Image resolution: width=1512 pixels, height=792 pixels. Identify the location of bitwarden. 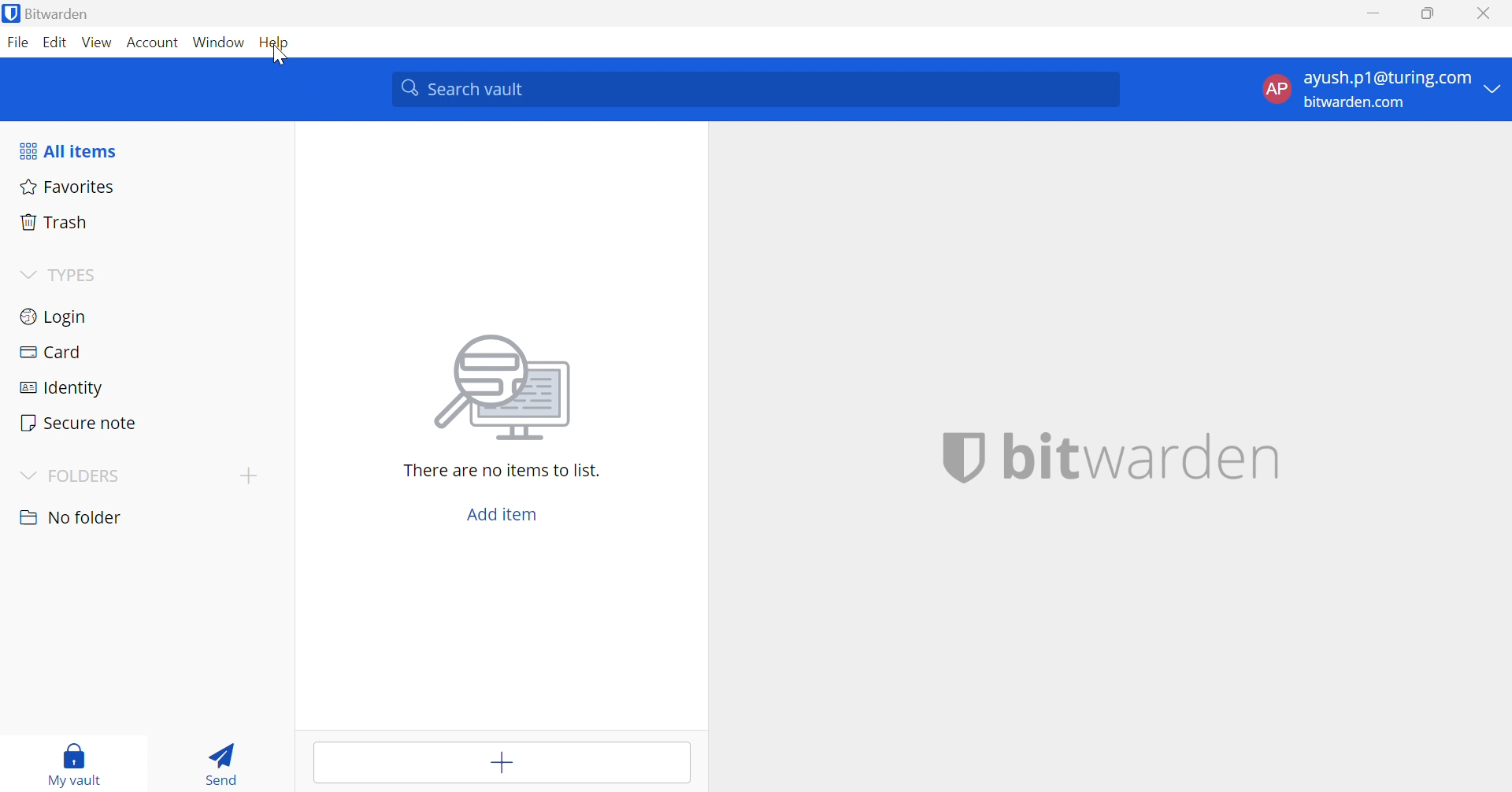
(1113, 457).